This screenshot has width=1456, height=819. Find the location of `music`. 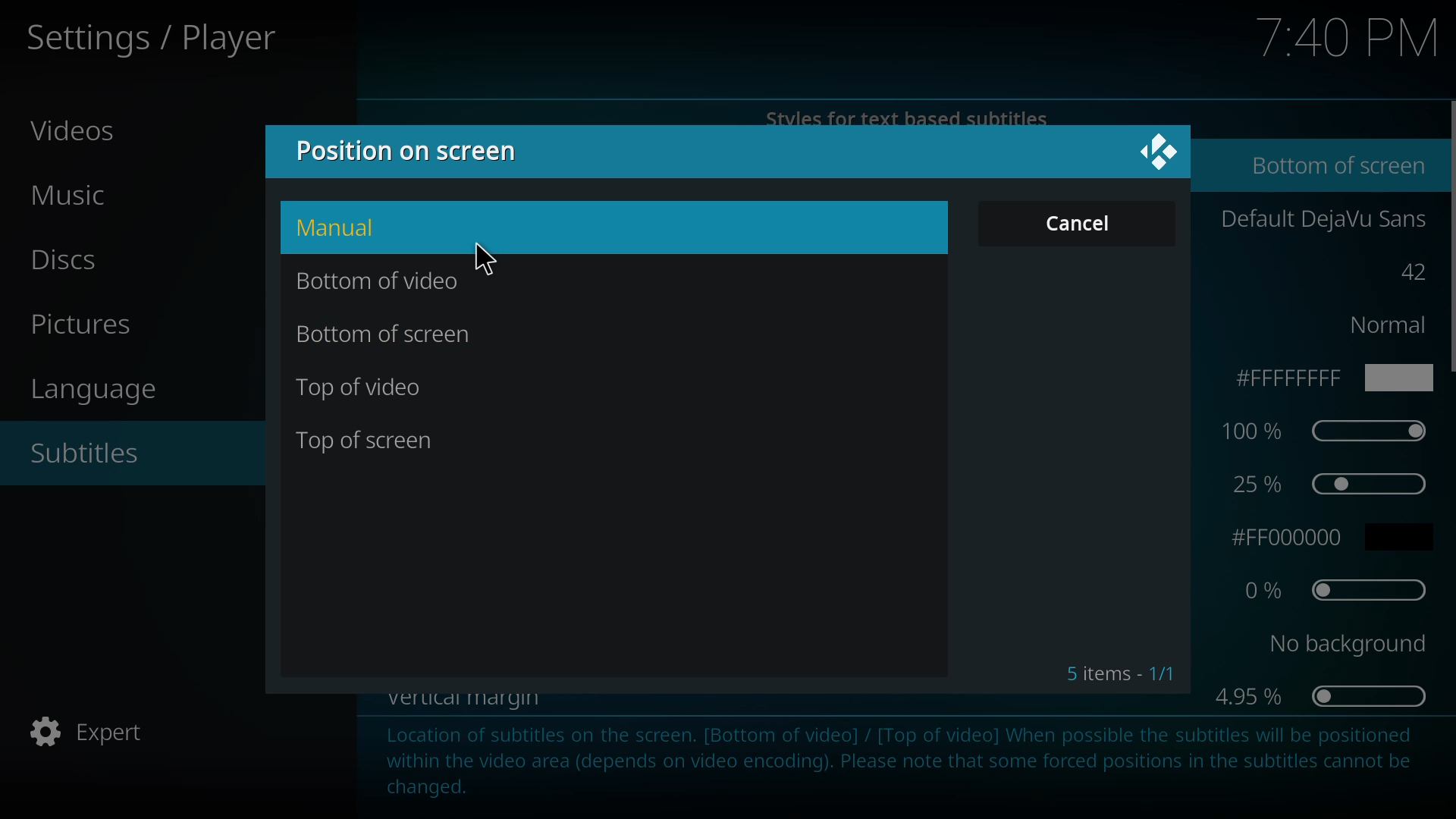

music is located at coordinates (76, 196).